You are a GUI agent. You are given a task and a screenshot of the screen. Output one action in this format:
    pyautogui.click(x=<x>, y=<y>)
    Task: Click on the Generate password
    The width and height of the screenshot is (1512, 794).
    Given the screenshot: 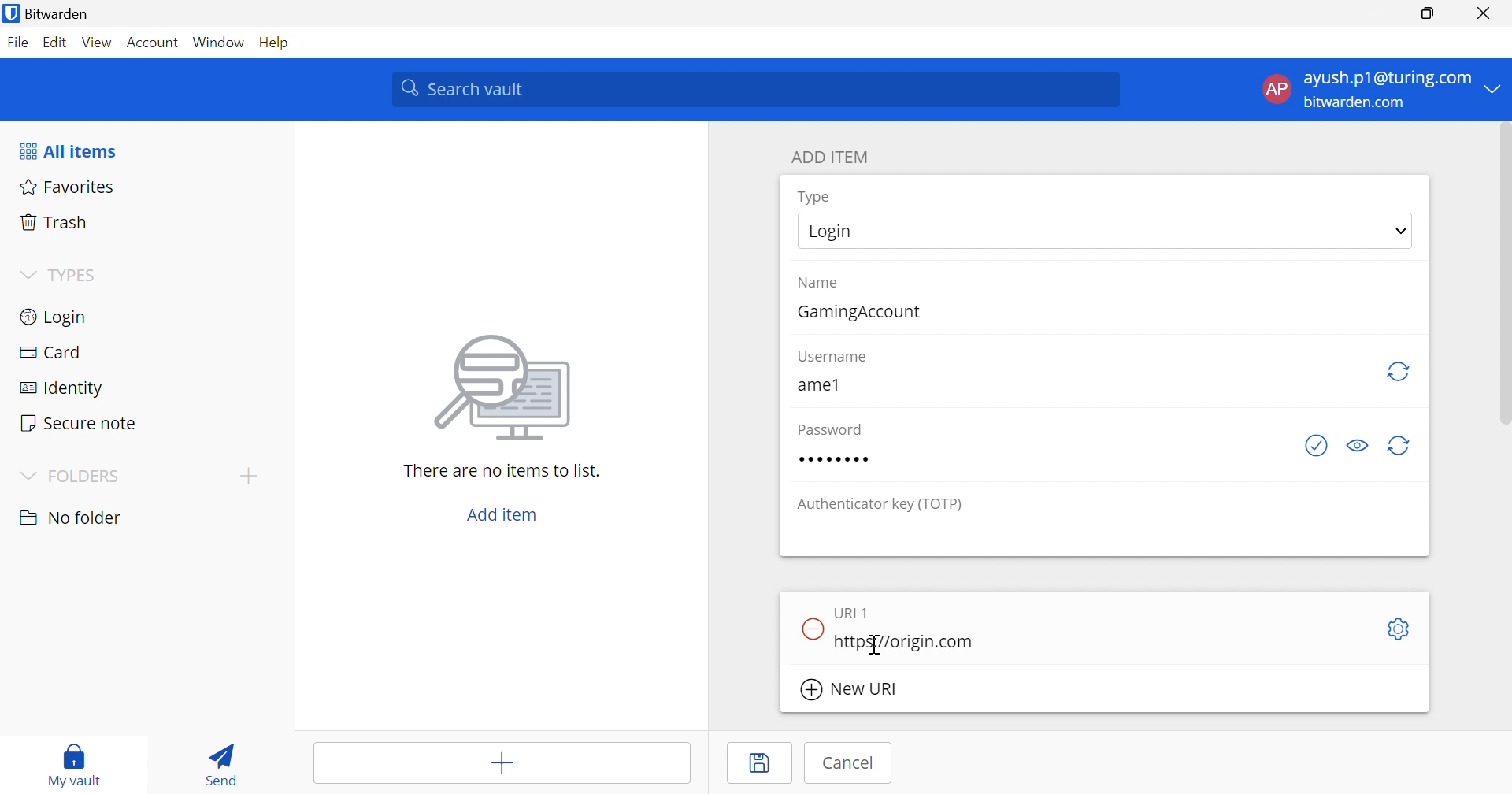 What is the action you would take?
    pyautogui.click(x=1401, y=445)
    